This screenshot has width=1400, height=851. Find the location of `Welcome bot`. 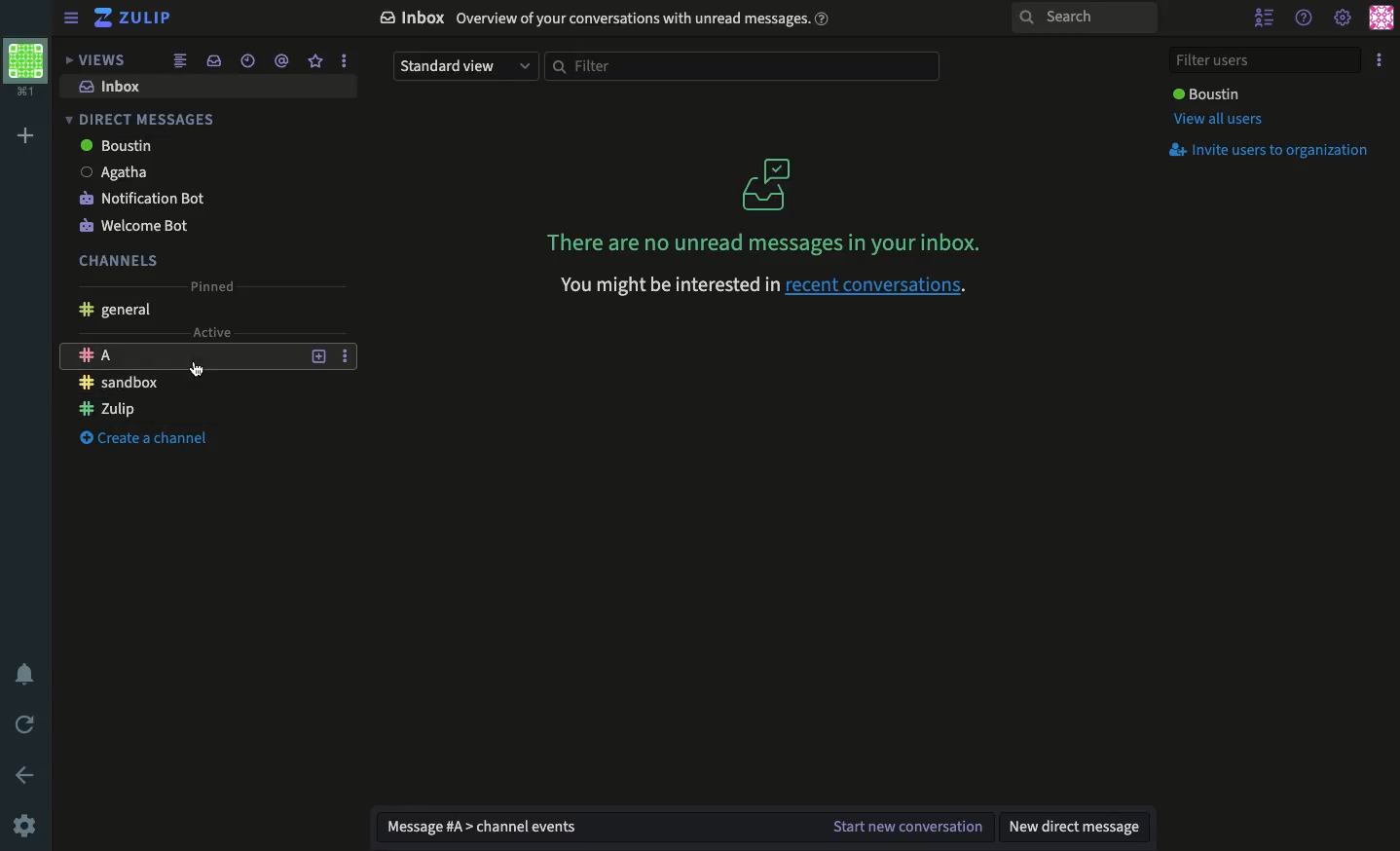

Welcome bot is located at coordinates (131, 226).